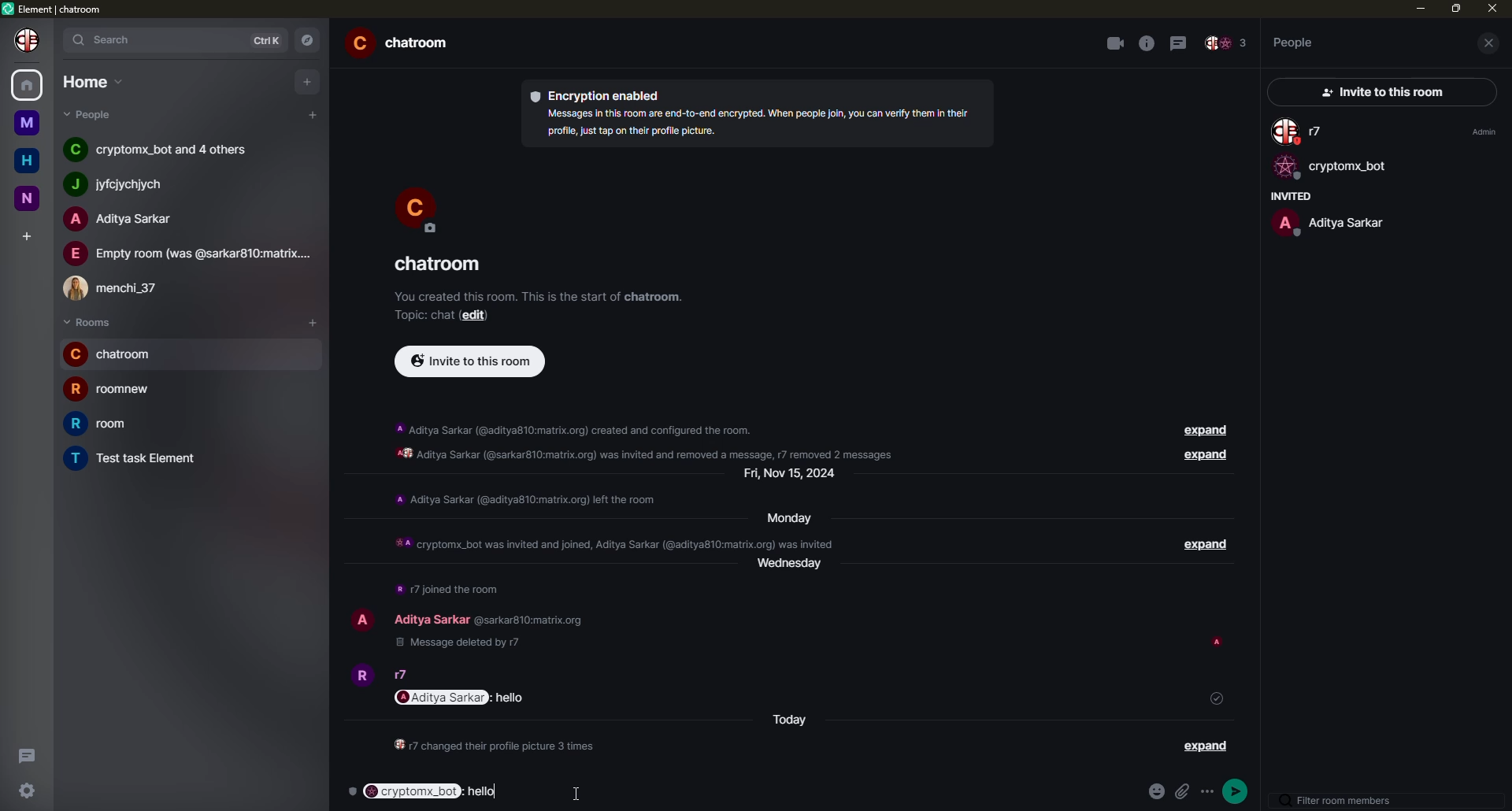  I want to click on room, so click(111, 424).